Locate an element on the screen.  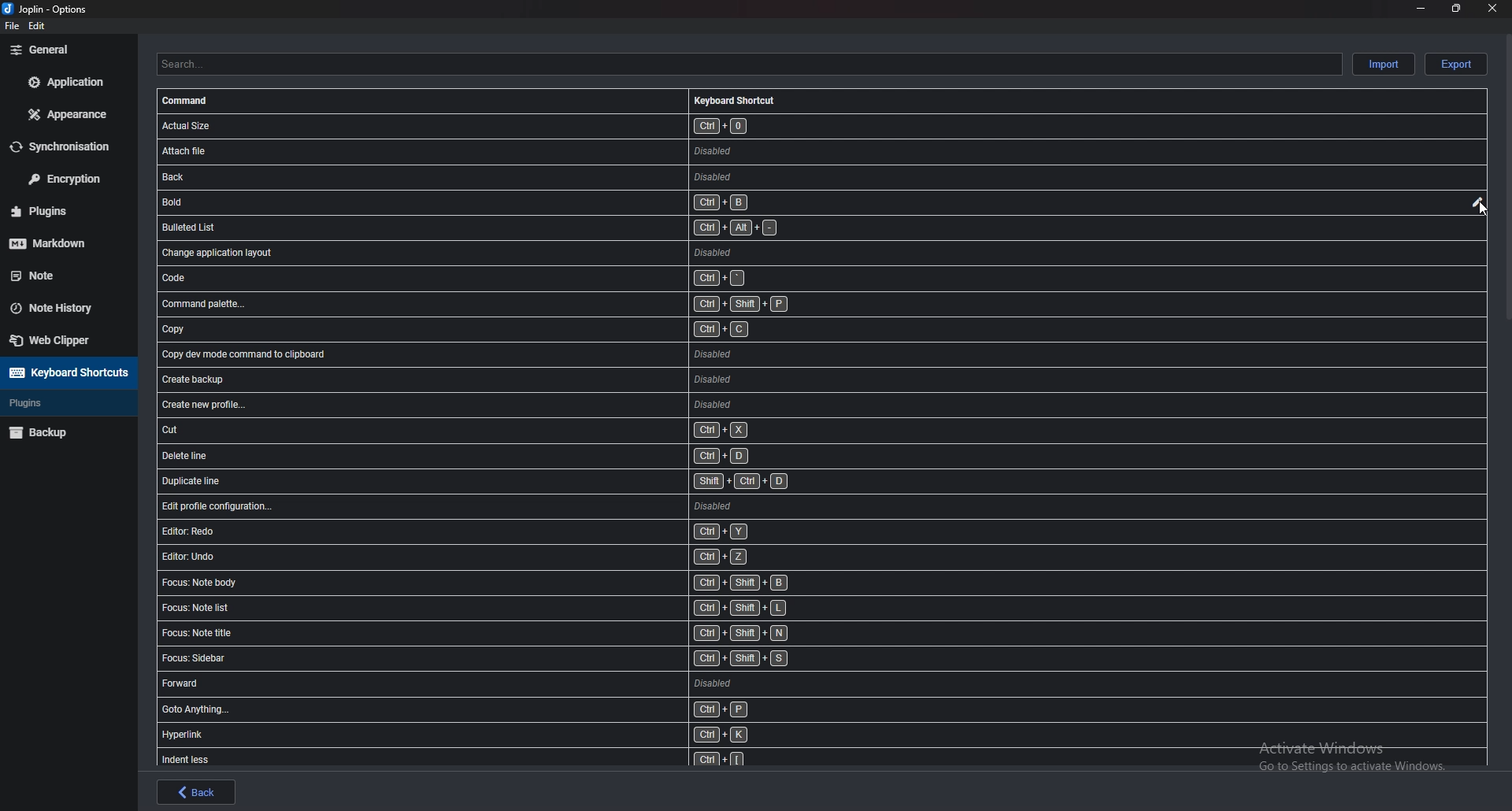
general is located at coordinates (65, 50).